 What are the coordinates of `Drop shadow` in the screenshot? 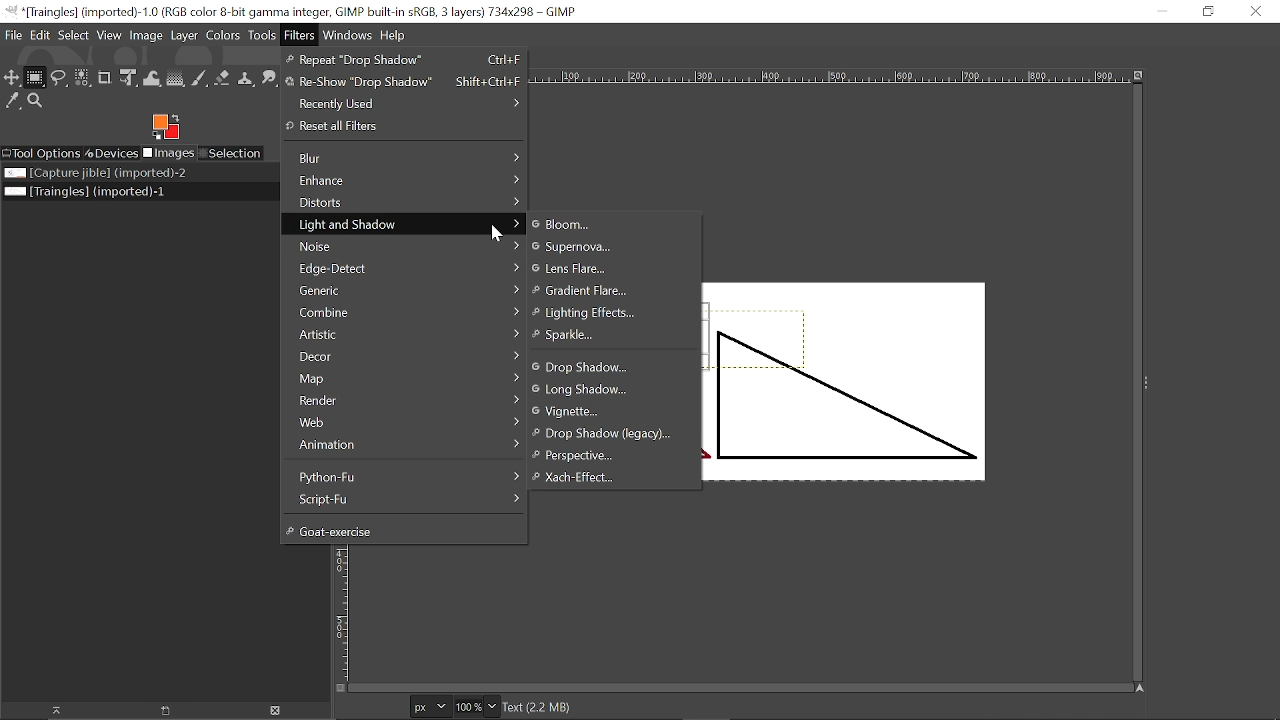 It's located at (616, 369).